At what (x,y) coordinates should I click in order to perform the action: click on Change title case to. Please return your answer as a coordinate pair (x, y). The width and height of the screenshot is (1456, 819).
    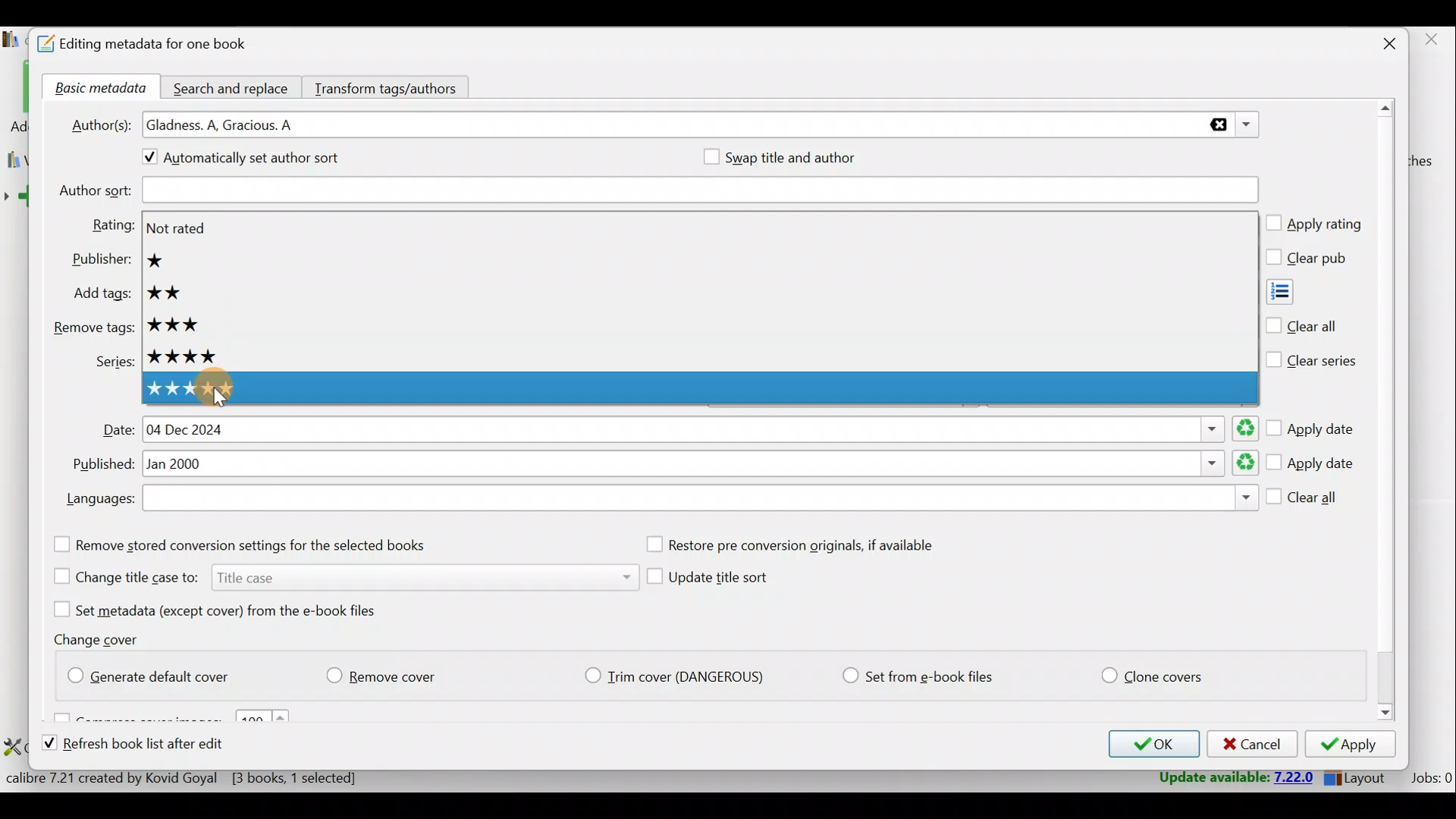
    Looking at the image, I should click on (339, 576).